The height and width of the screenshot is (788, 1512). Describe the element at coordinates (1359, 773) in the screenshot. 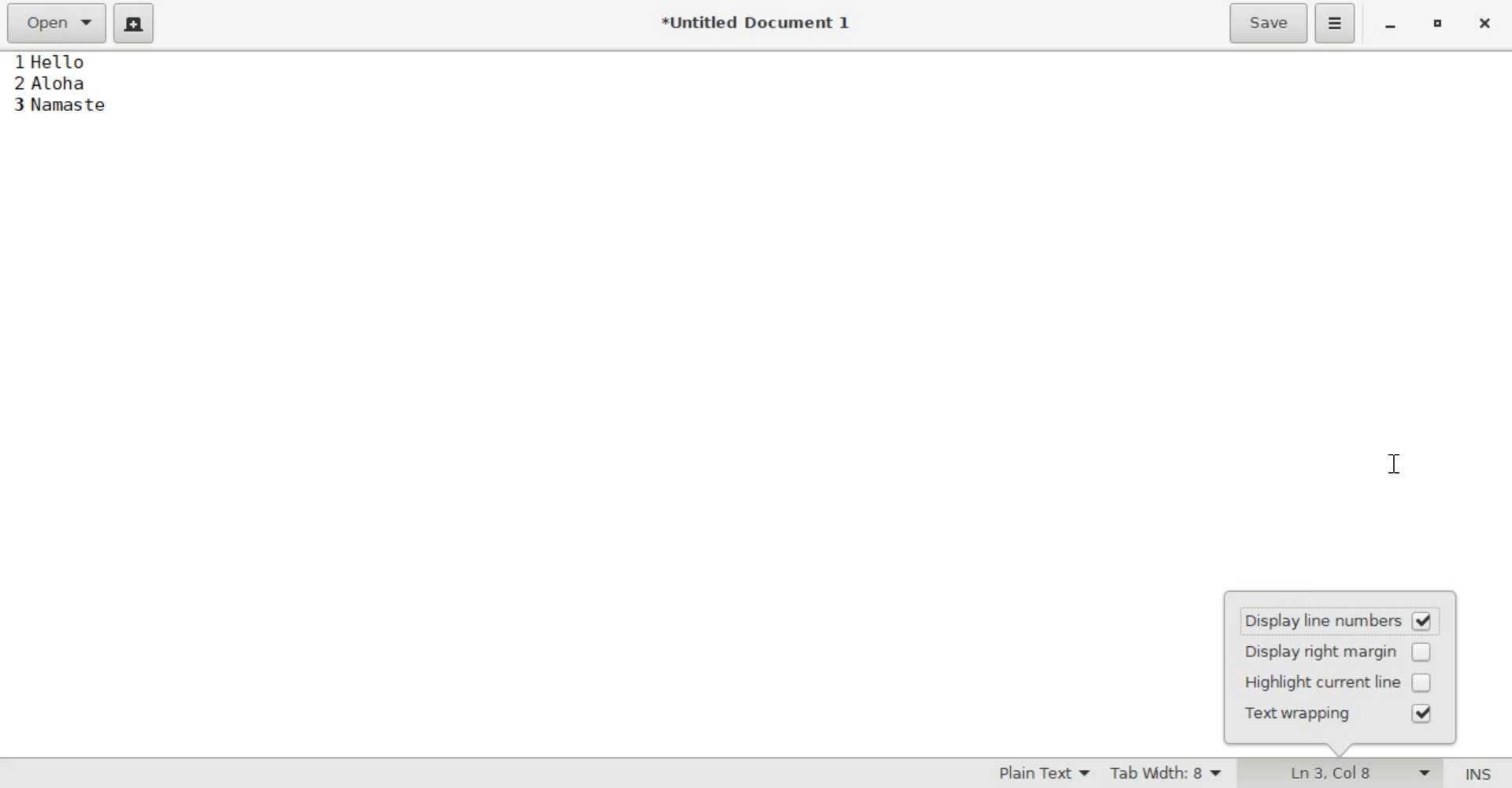

I see `Line and Column Indicator` at that location.